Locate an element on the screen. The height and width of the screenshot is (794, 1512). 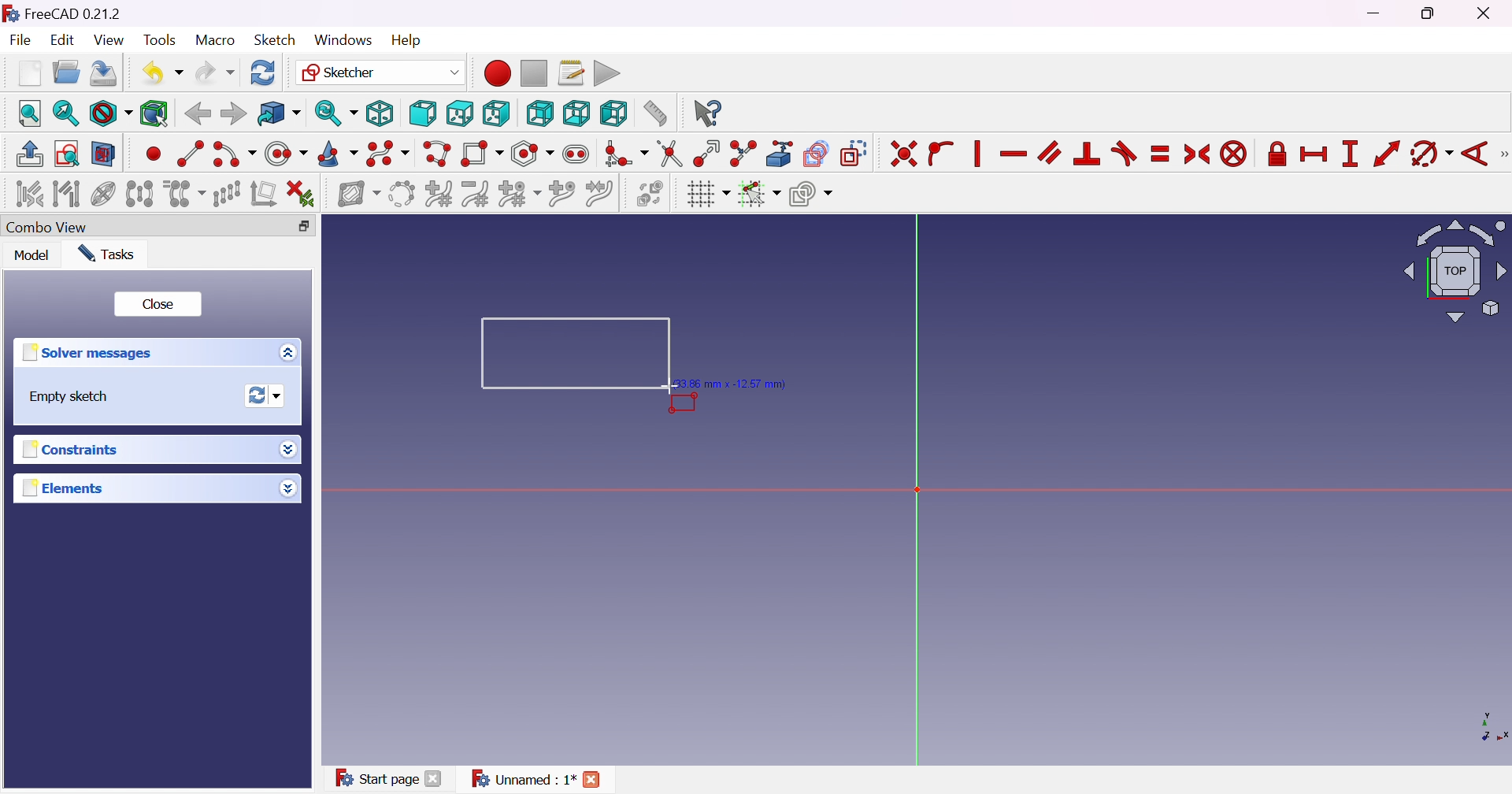
Leave sketch is located at coordinates (31, 154).